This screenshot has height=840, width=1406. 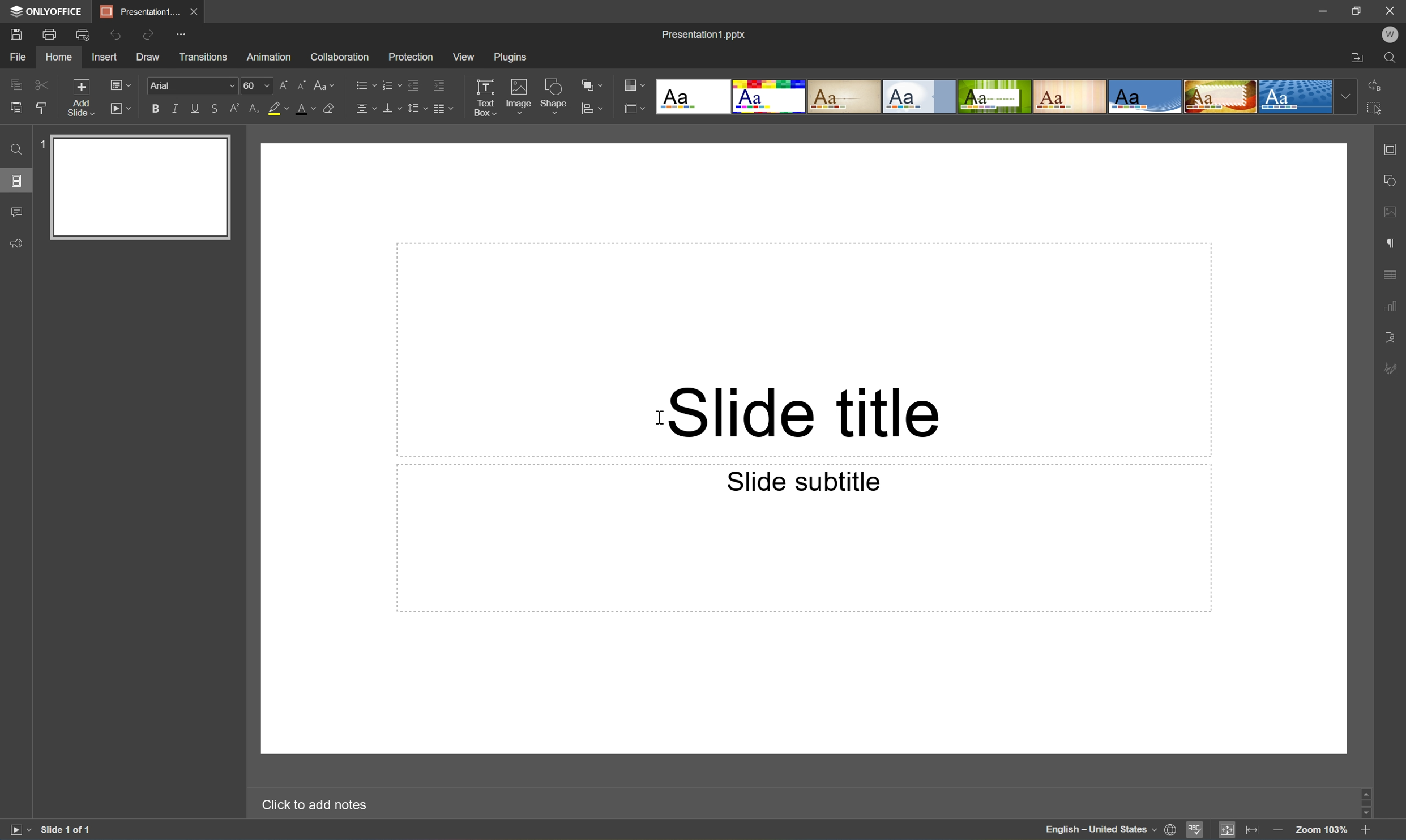 I want to click on Select slide size, so click(x=635, y=108).